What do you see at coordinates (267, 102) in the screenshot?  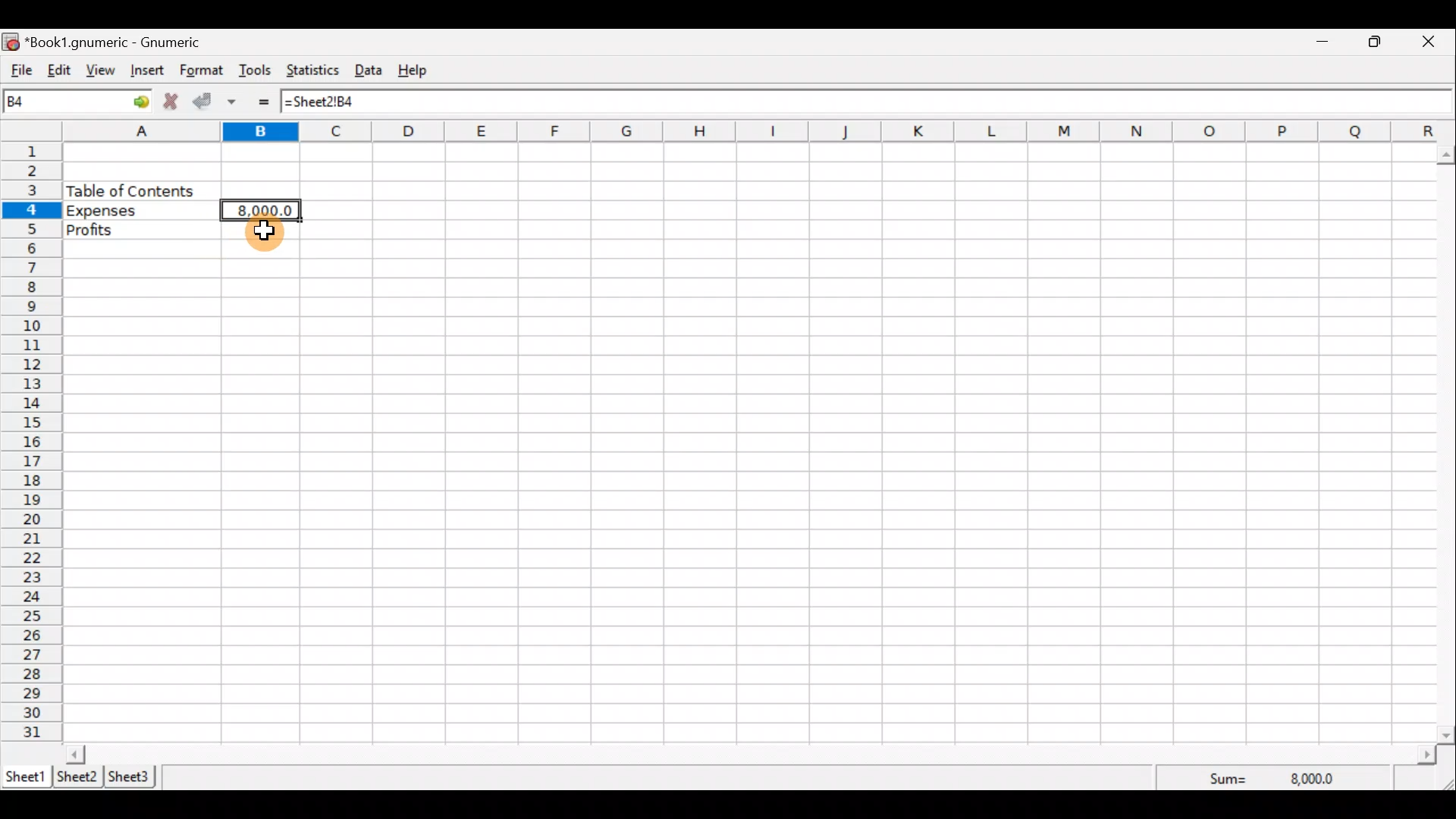 I see `Enter formula` at bounding box center [267, 102].